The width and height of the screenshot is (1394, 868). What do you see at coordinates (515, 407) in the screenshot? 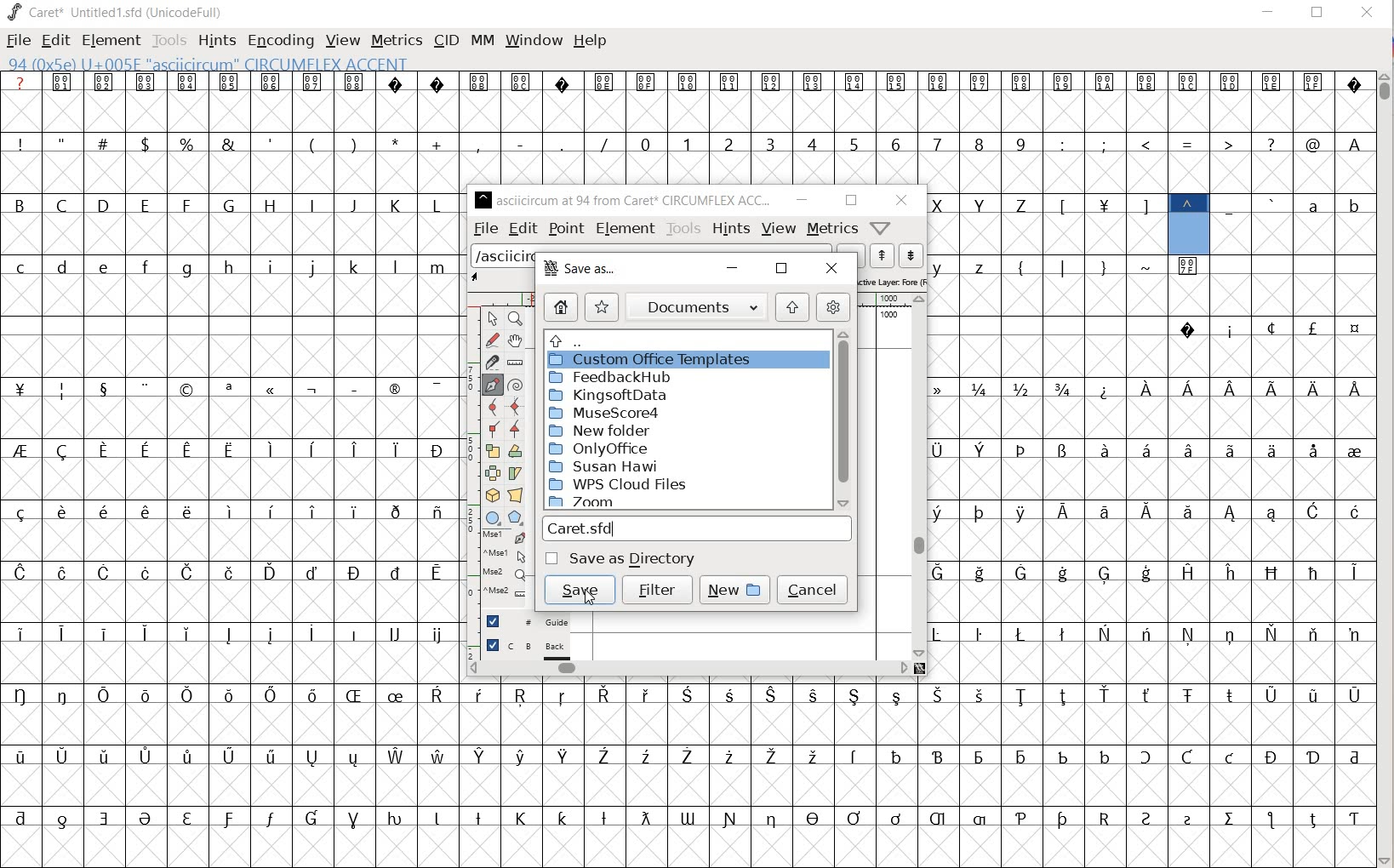
I see `add a curve point always either horizontal or vertical` at bounding box center [515, 407].